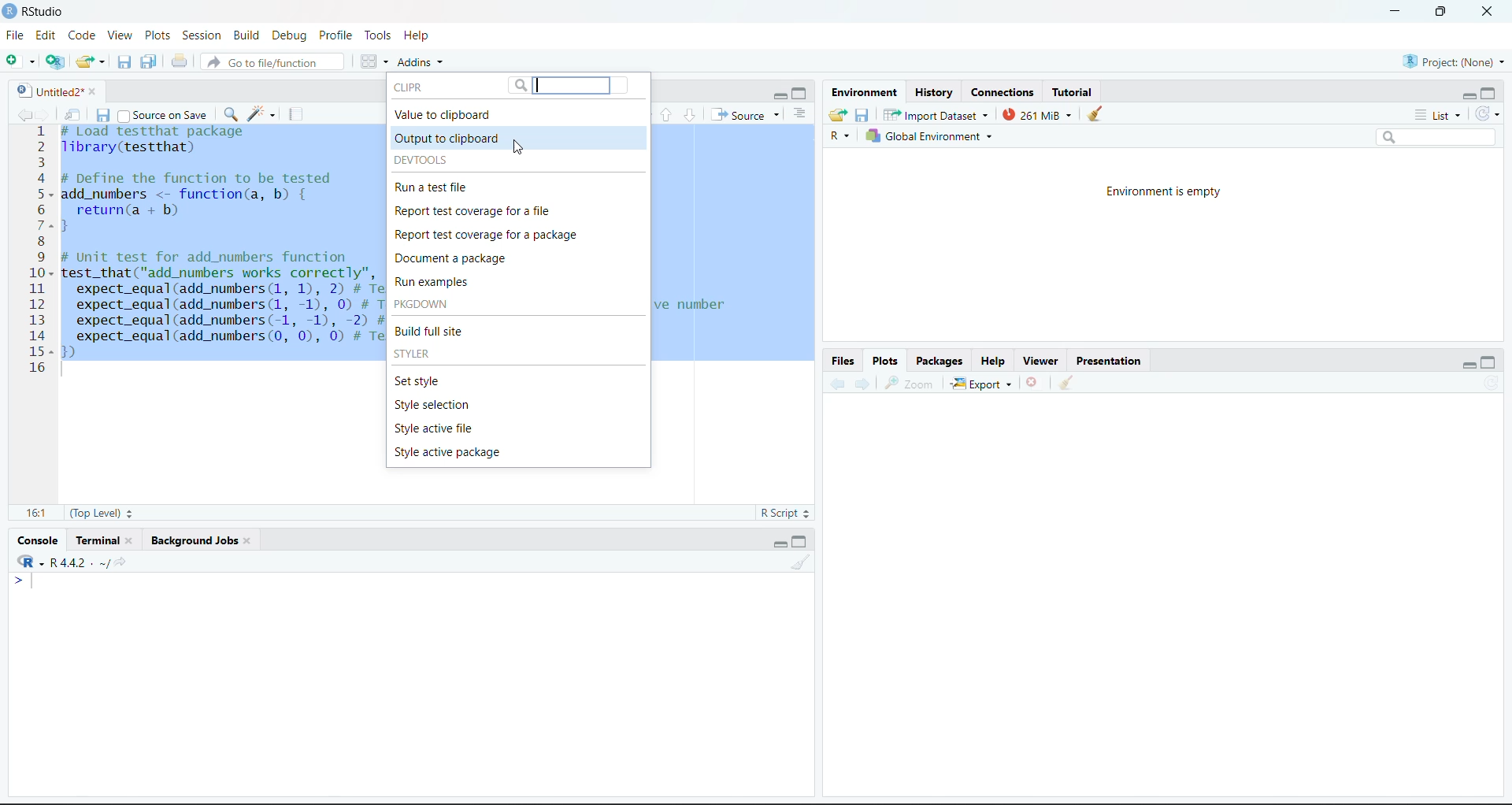  Describe the element at coordinates (779, 543) in the screenshot. I see `minimize` at that location.